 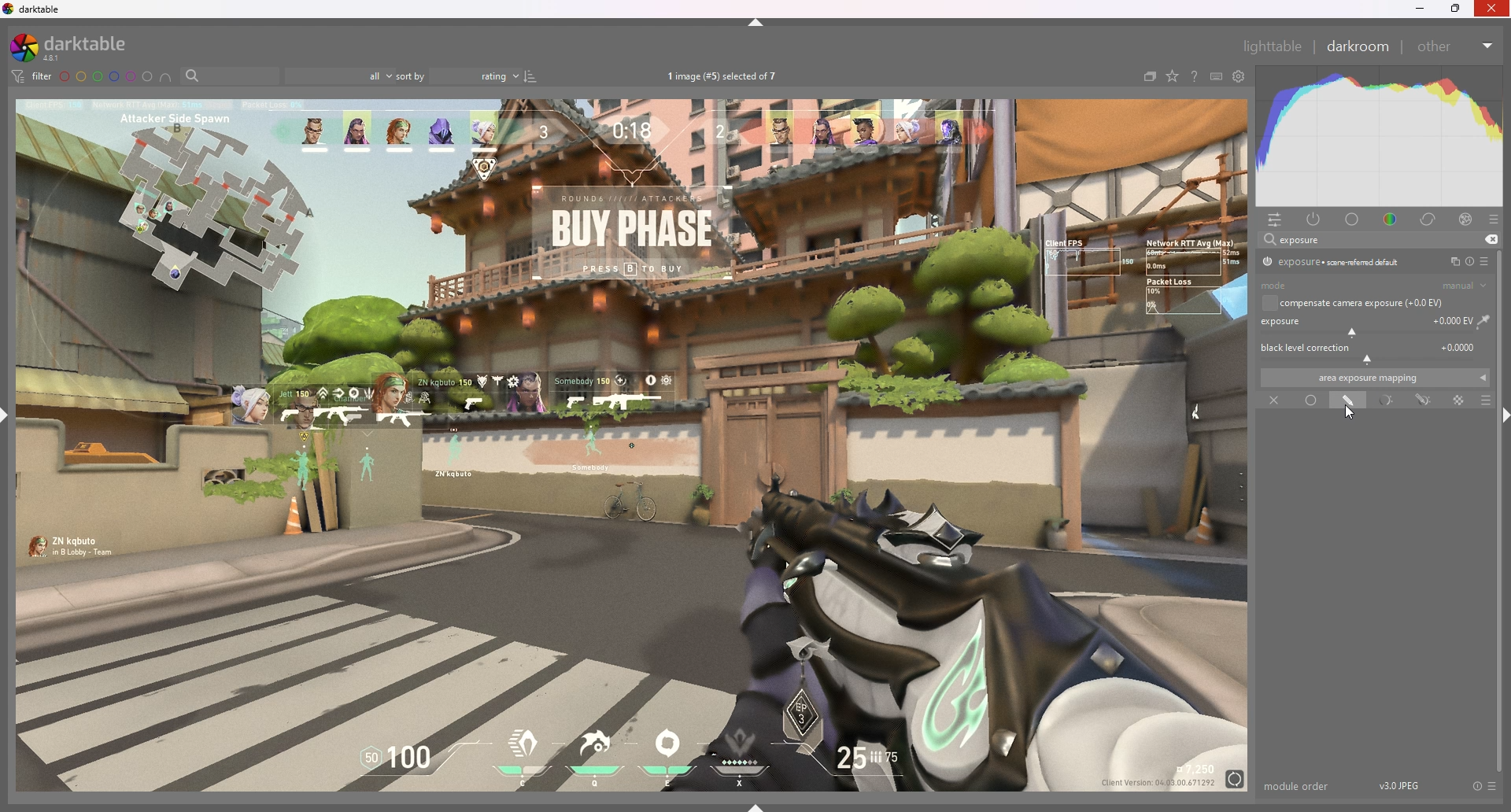 What do you see at coordinates (1400, 784) in the screenshot?
I see `version` at bounding box center [1400, 784].